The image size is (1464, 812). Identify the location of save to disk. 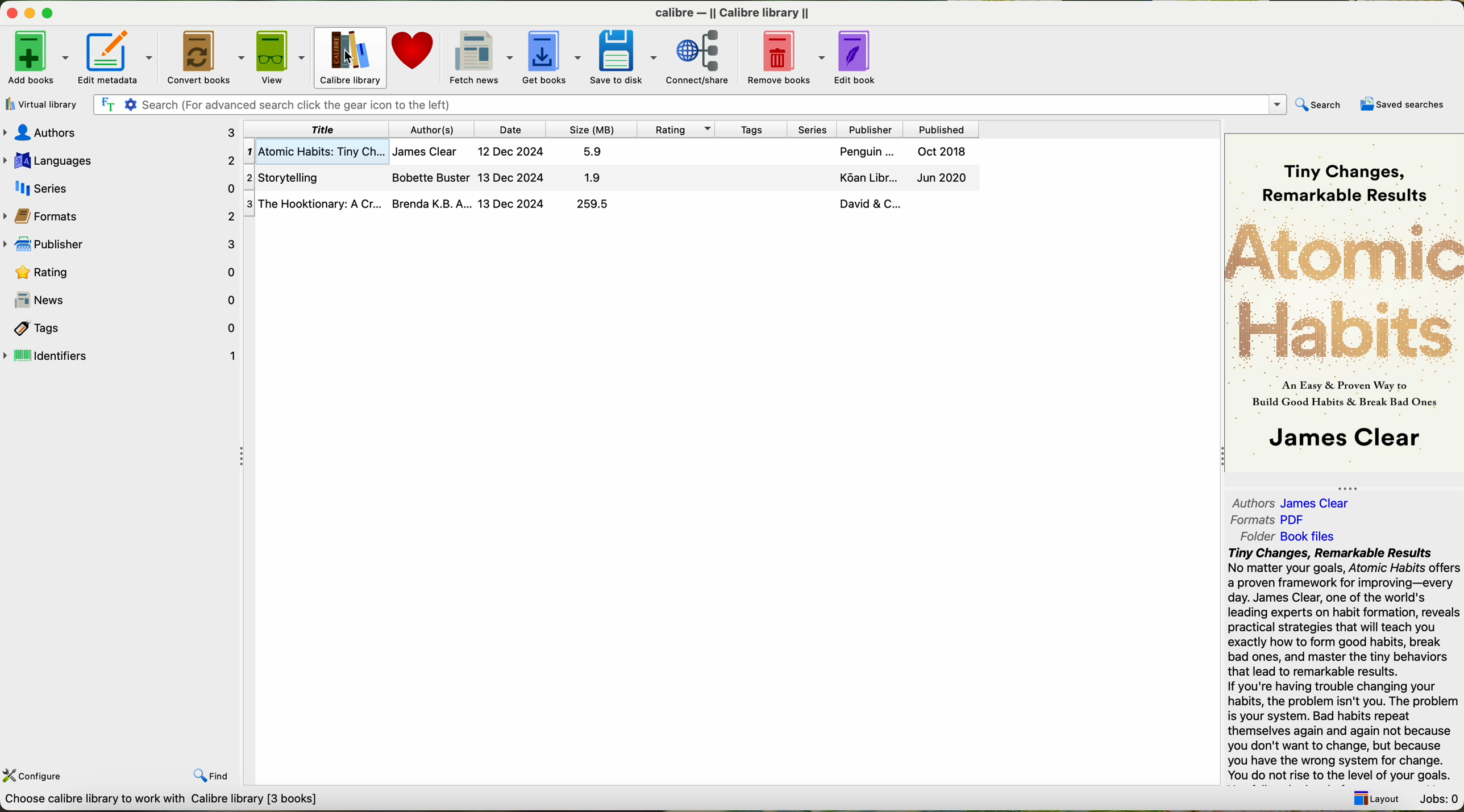
(624, 56).